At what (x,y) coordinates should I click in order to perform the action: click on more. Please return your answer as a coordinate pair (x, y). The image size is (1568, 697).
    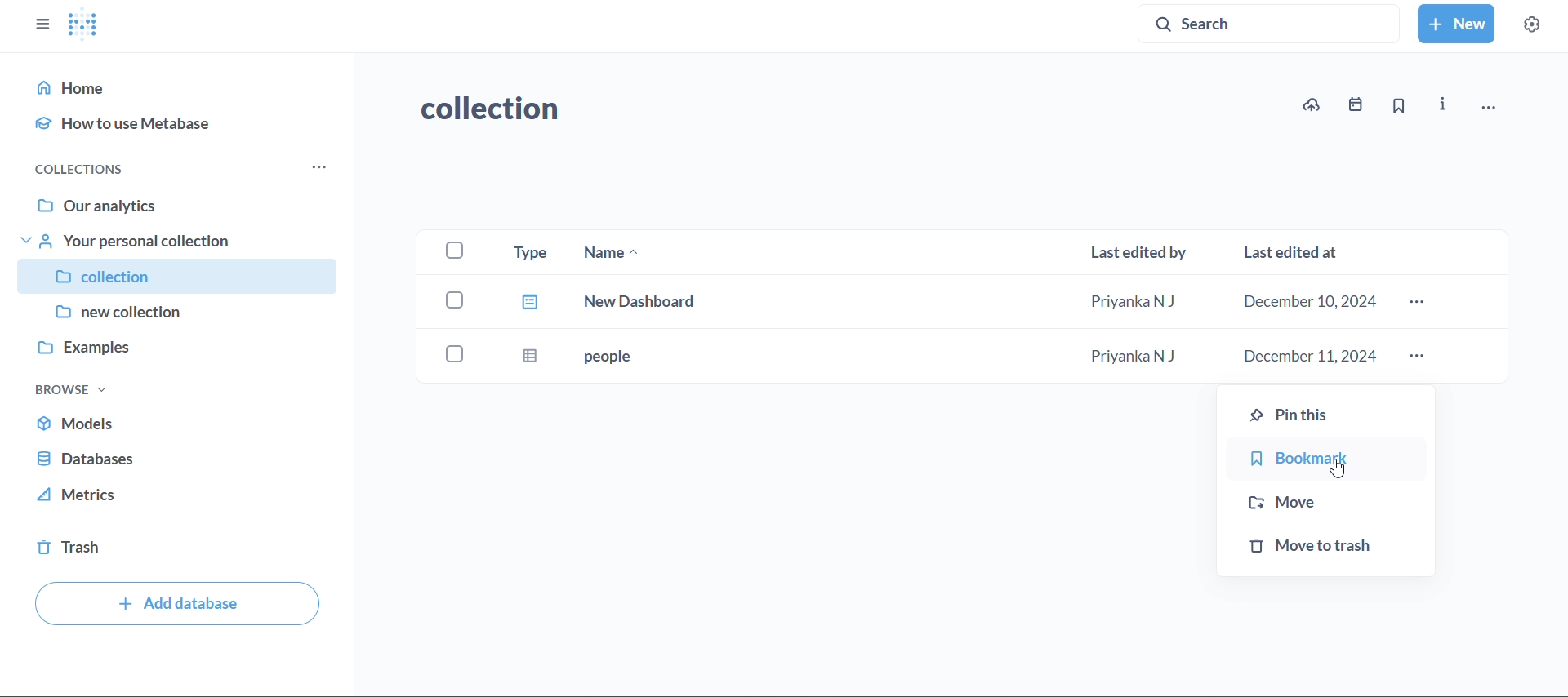
    Looking at the image, I should click on (317, 169).